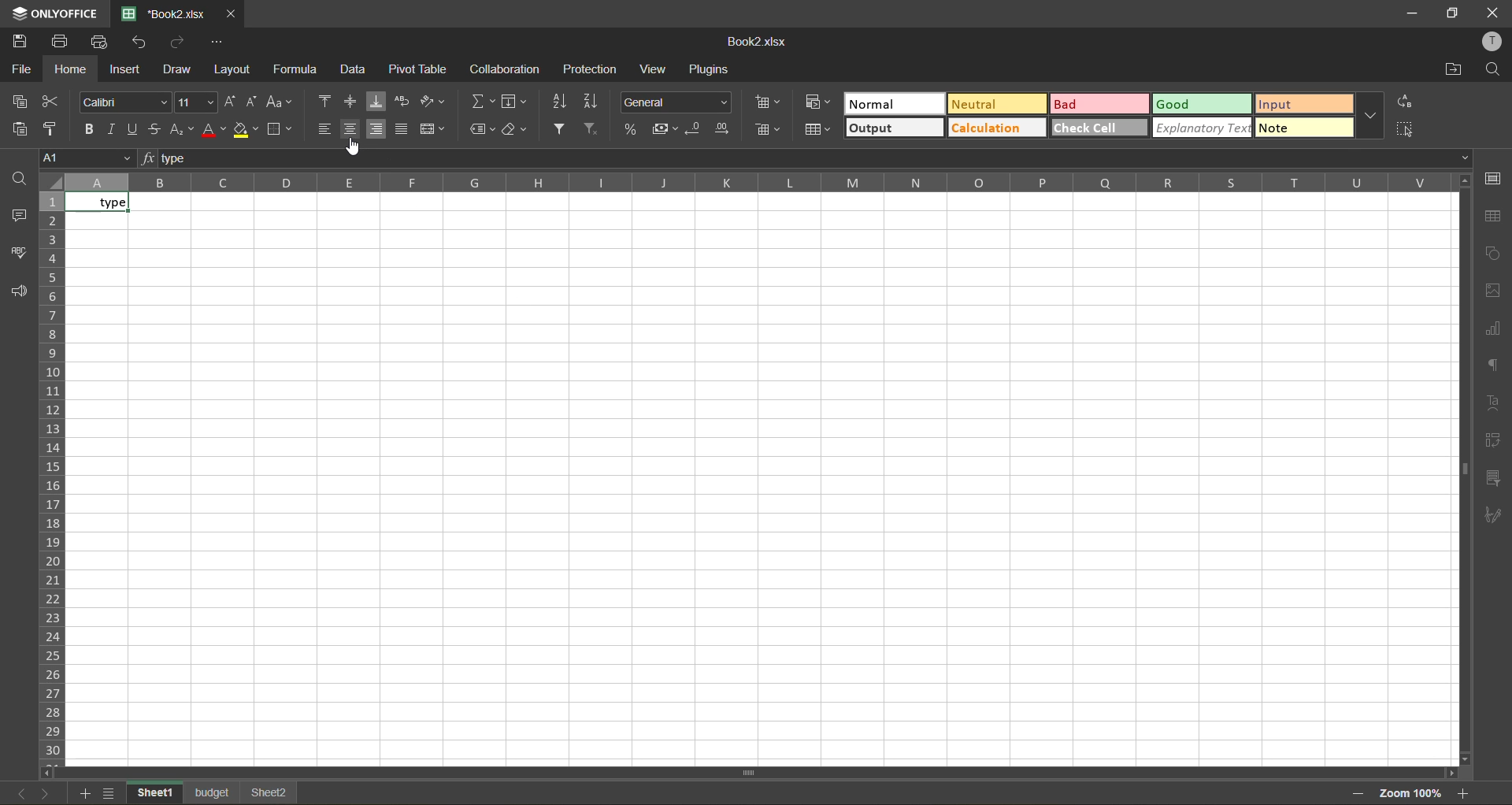 This screenshot has height=805, width=1512. I want to click on plugins, so click(711, 70).